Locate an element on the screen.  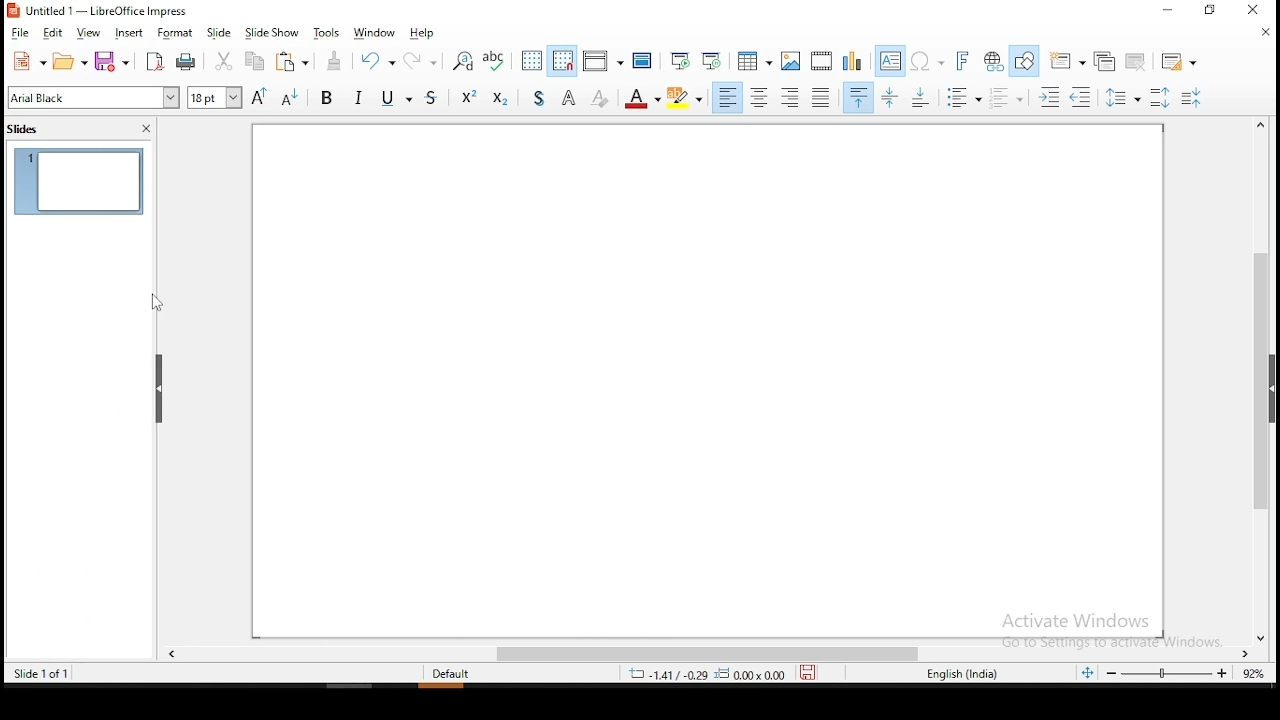
insert font work text is located at coordinates (965, 62).